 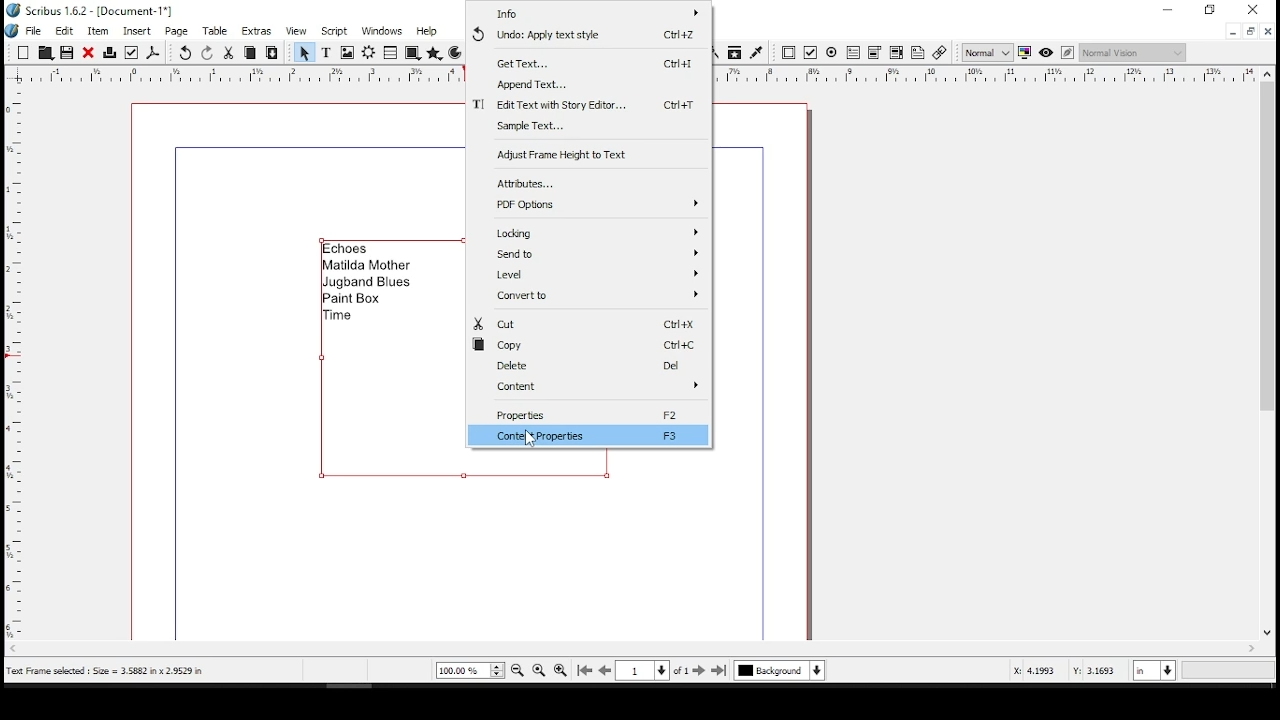 I want to click on current zoom level 100.00%, so click(x=470, y=670).